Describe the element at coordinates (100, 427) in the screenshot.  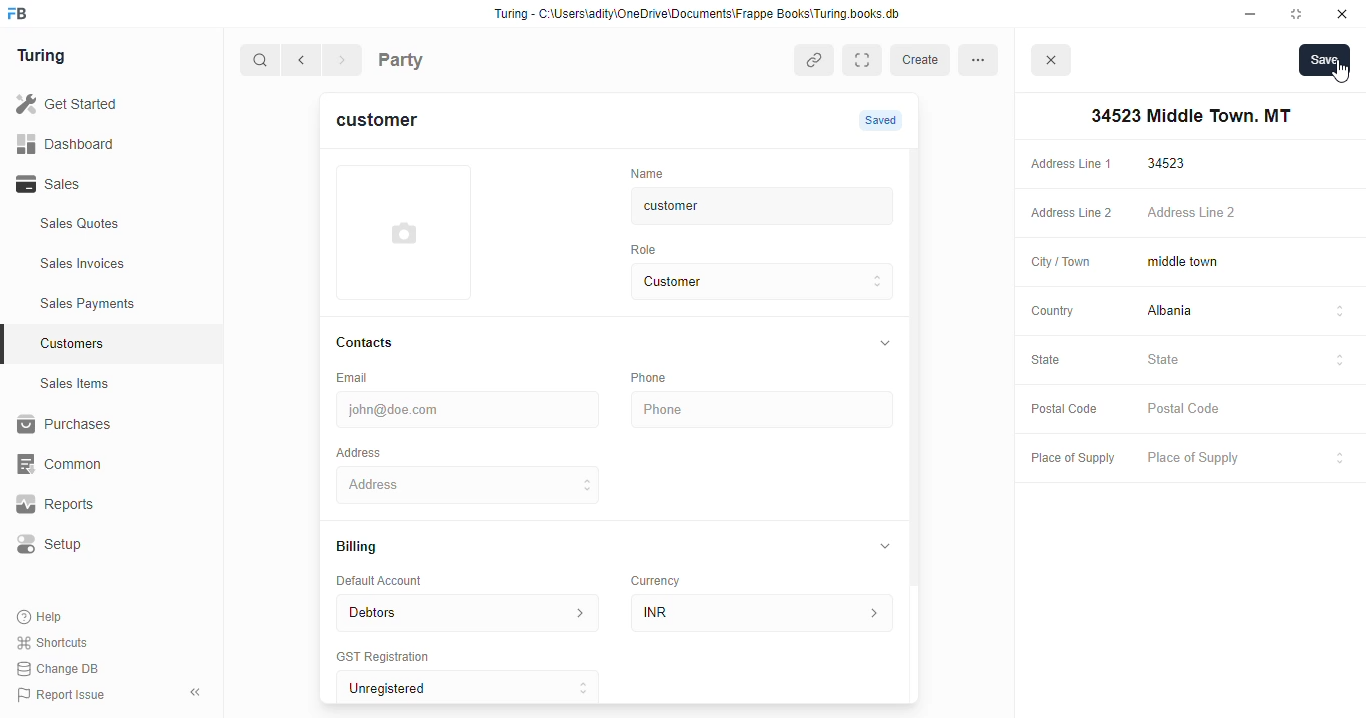
I see `Purchases` at that location.